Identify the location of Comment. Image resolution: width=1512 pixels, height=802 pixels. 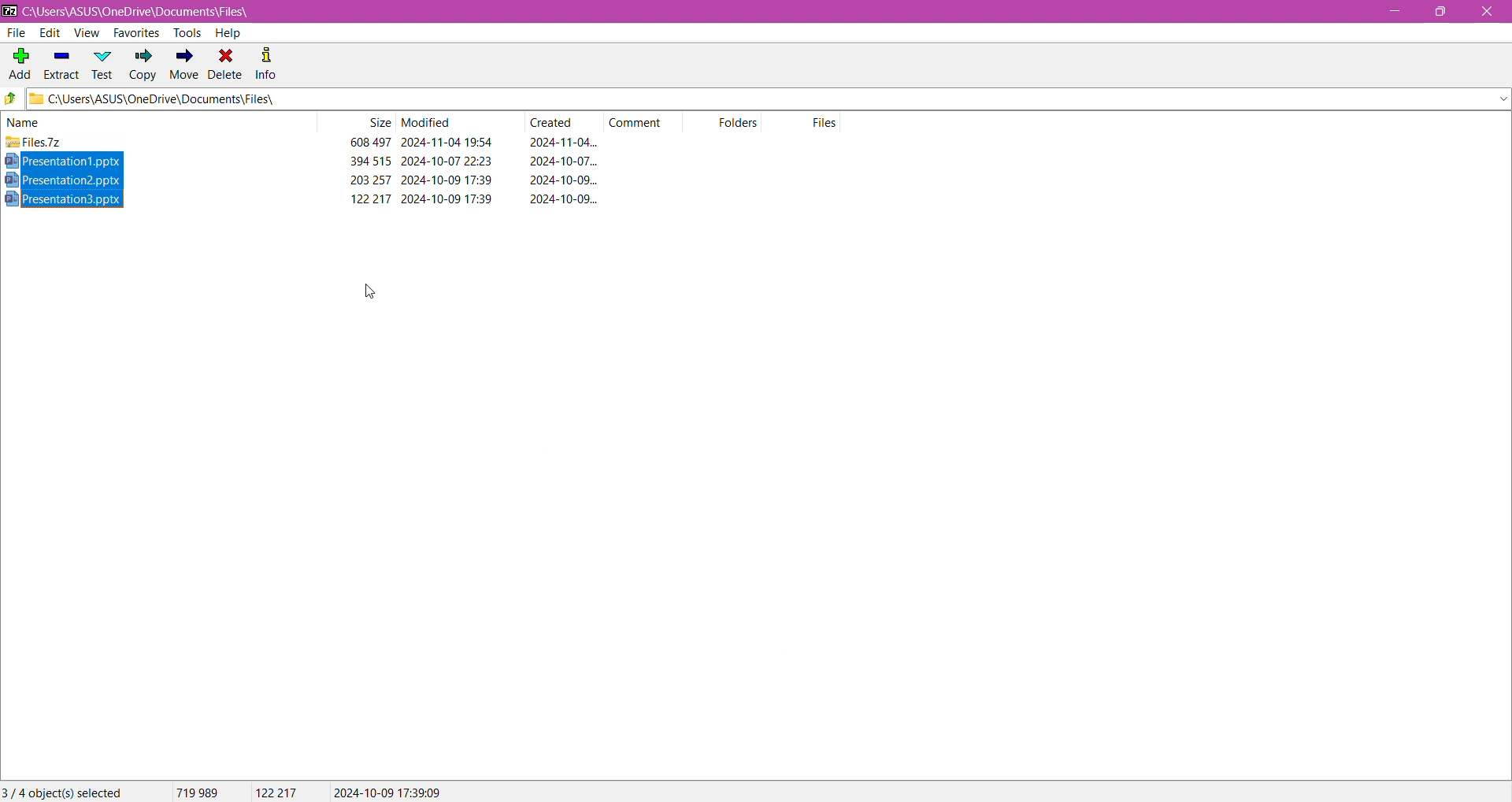
(641, 121).